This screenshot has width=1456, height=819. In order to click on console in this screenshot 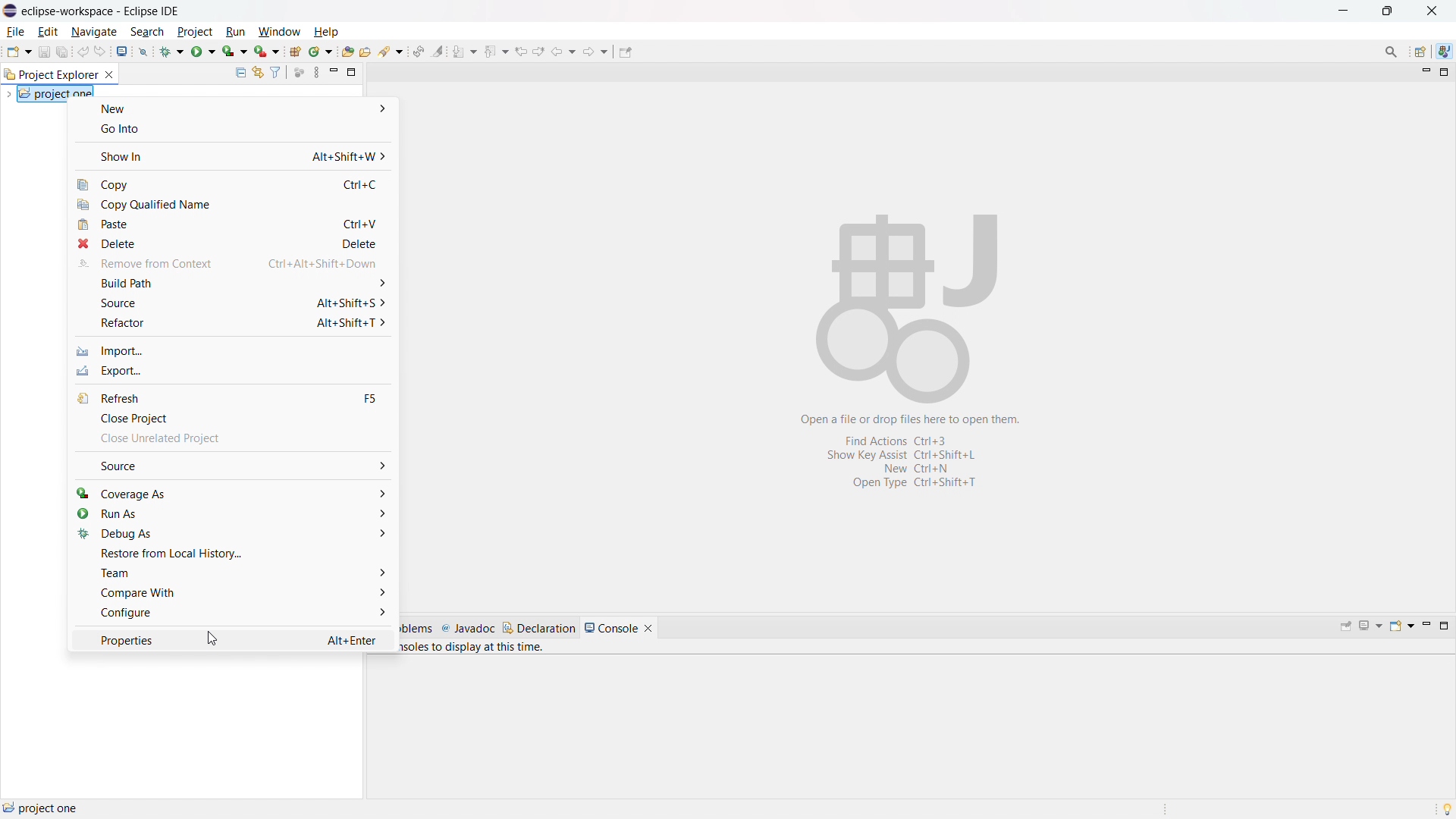, I will do `click(611, 628)`.